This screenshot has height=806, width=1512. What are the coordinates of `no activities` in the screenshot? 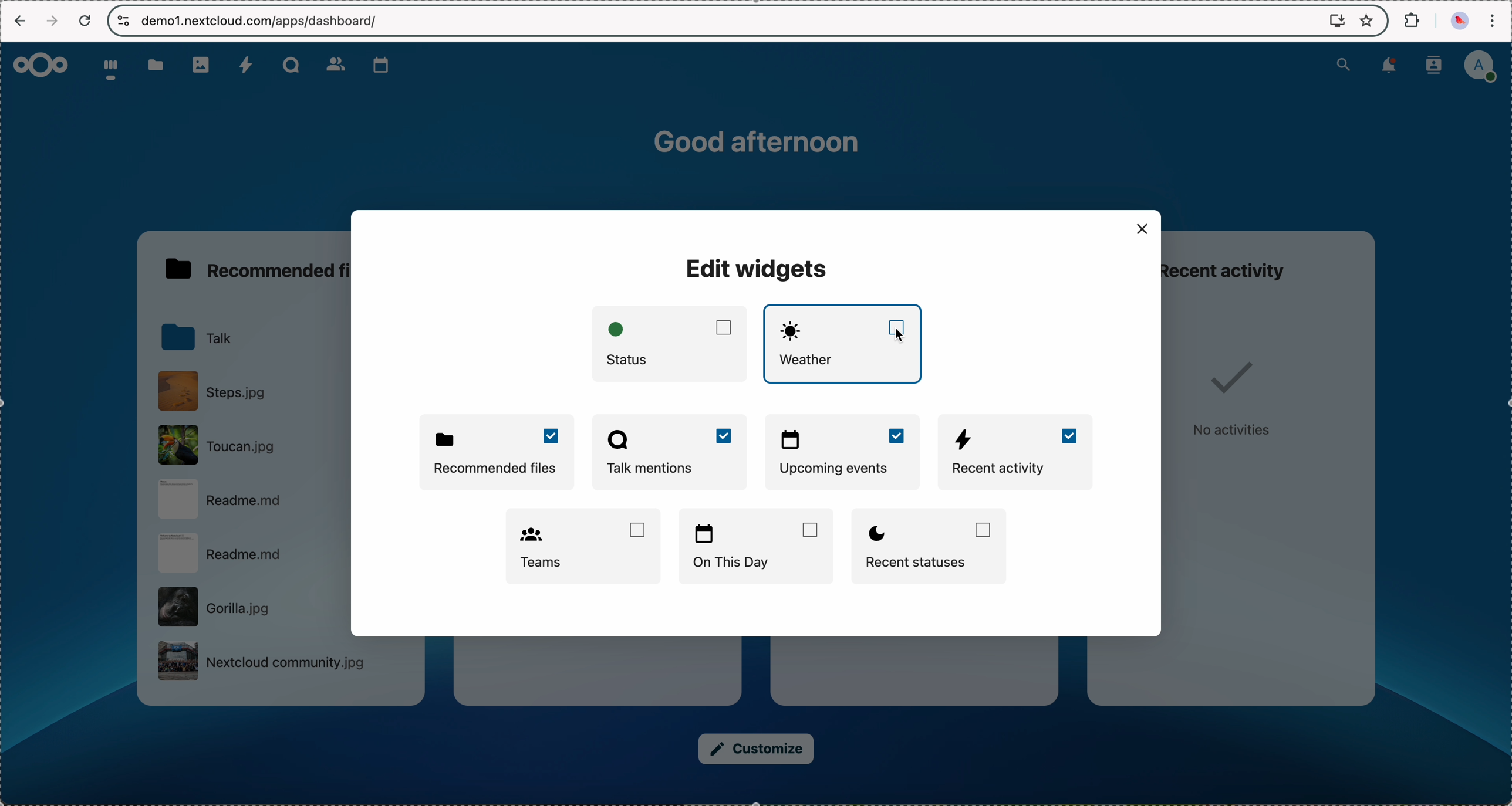 It's located at (1236, 402).